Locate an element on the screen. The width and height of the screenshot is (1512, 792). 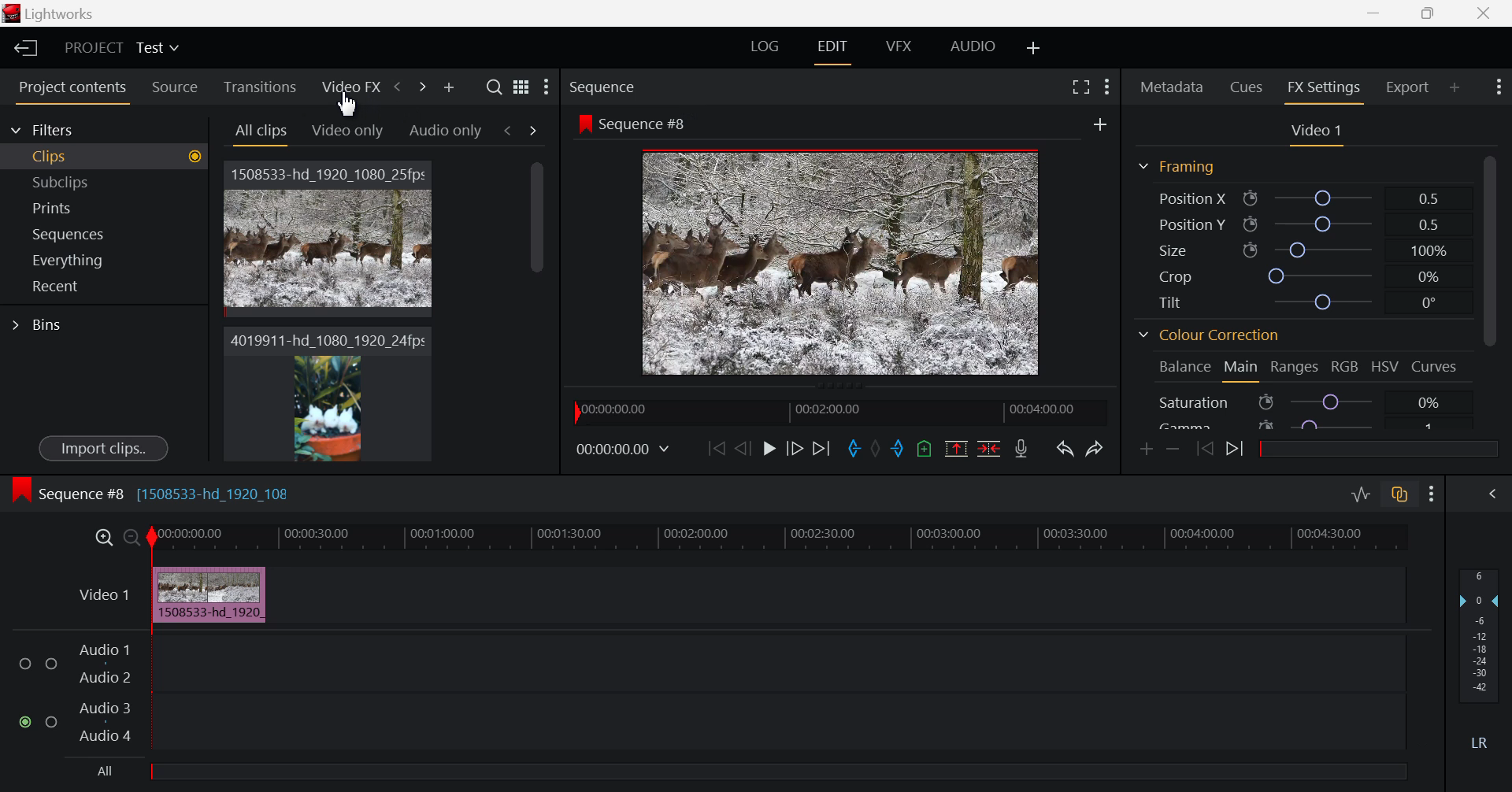
Clip 1 is located at coordinates (329, 239).